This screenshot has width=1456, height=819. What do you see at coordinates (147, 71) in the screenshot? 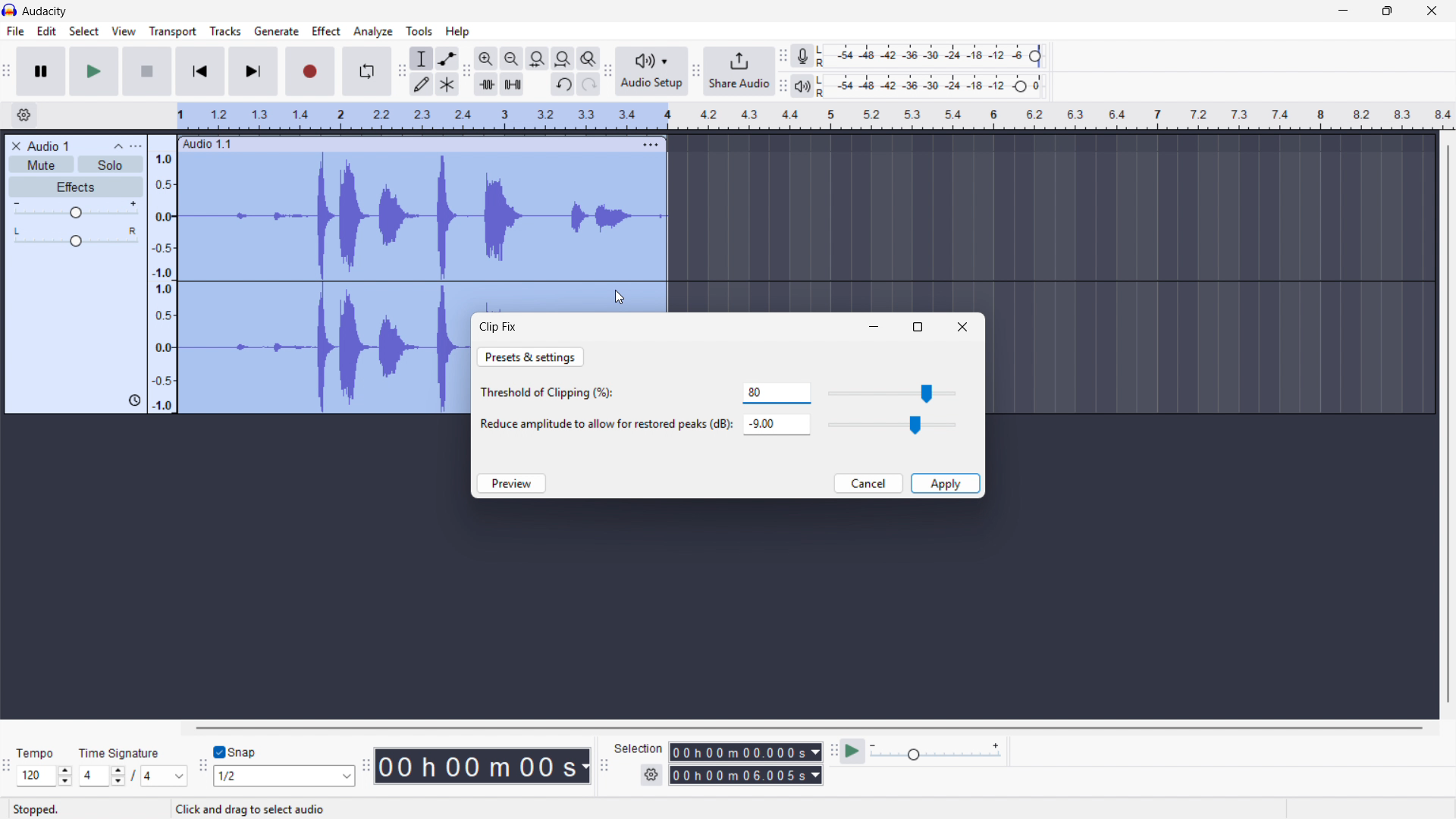
I see `Stop ` at bounding box center [147, 71].